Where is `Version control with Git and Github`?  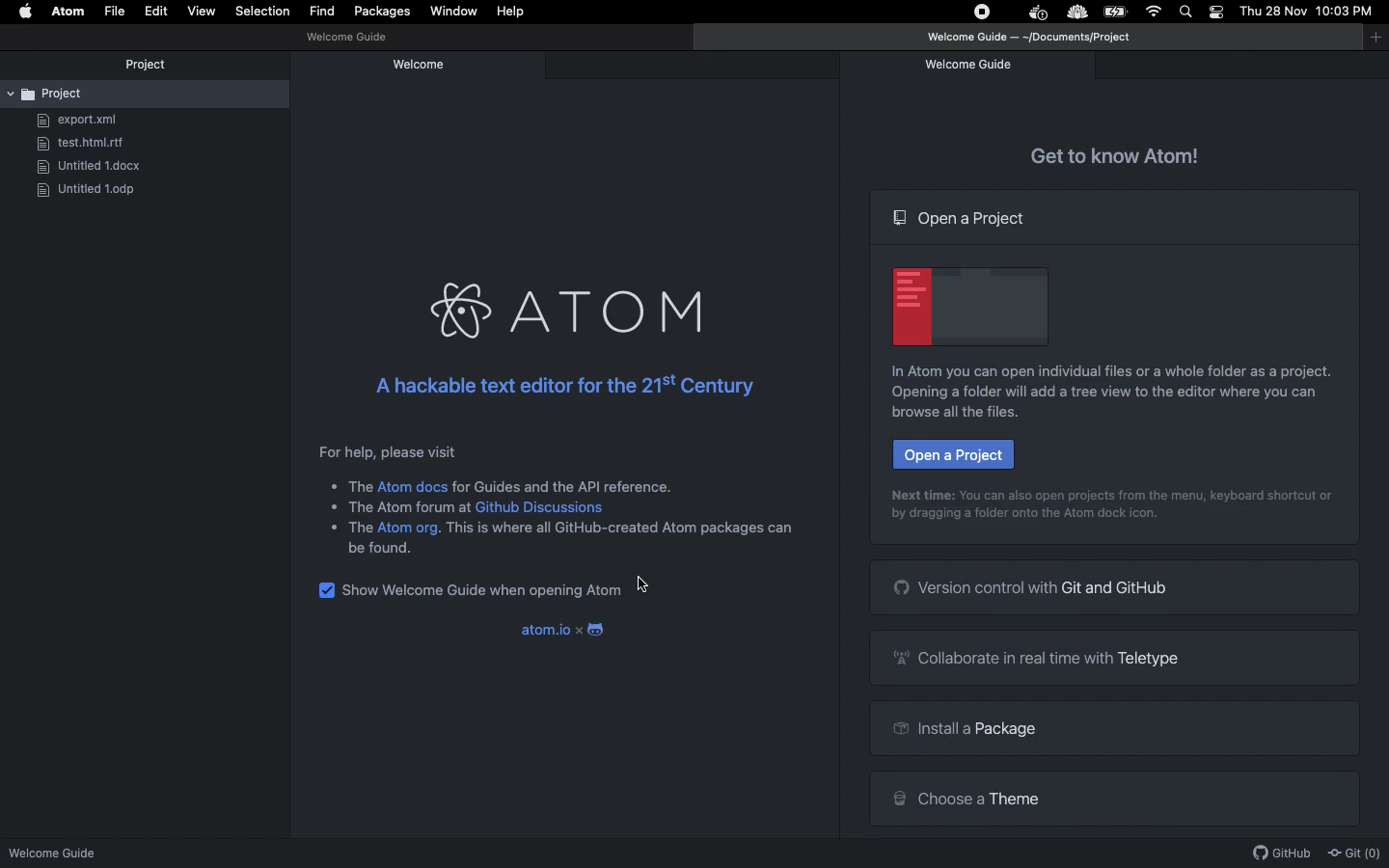
Version control with Git and Github is located at coordinates (1045, 589).